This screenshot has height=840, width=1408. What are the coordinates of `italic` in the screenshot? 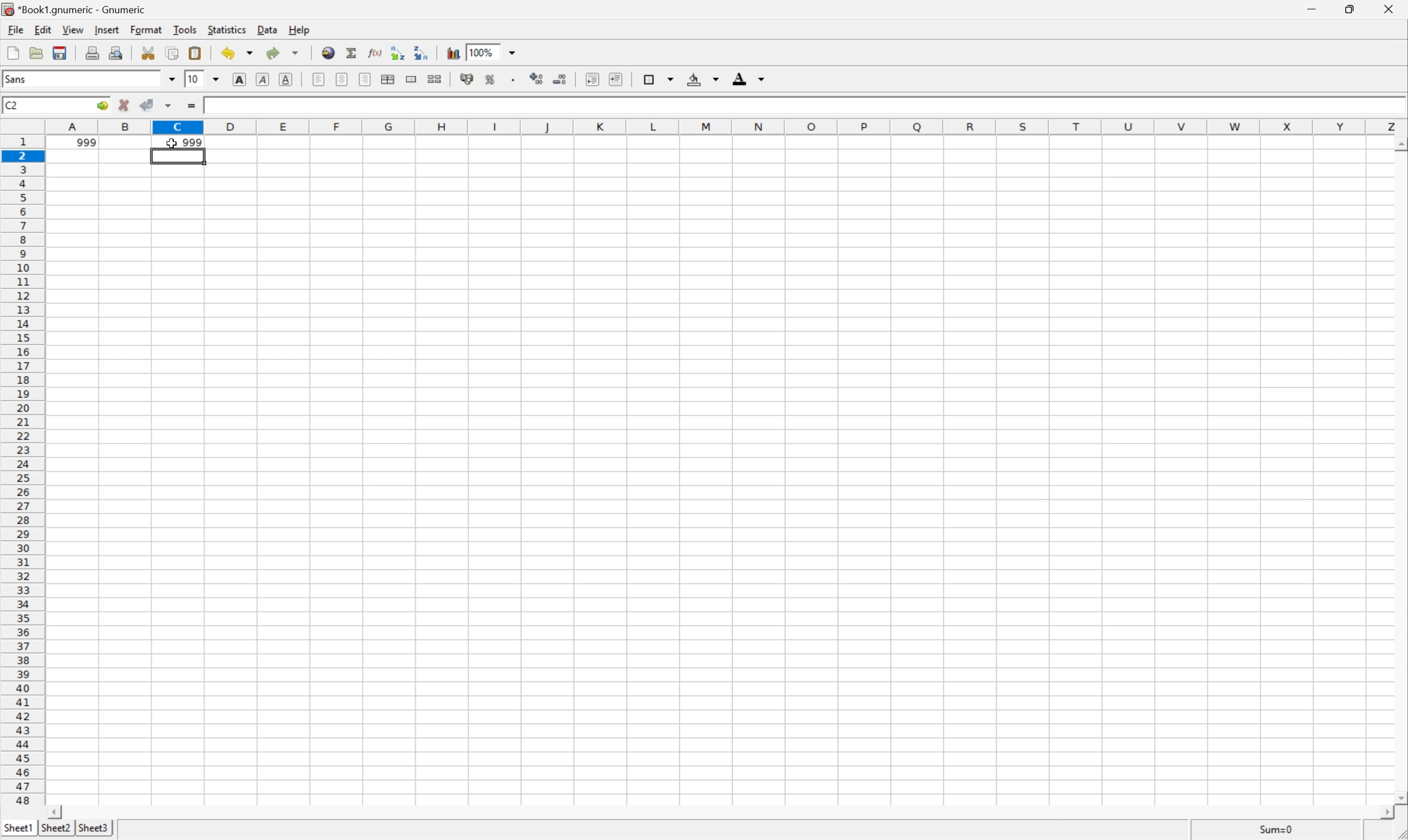 It's located at (262, 78).